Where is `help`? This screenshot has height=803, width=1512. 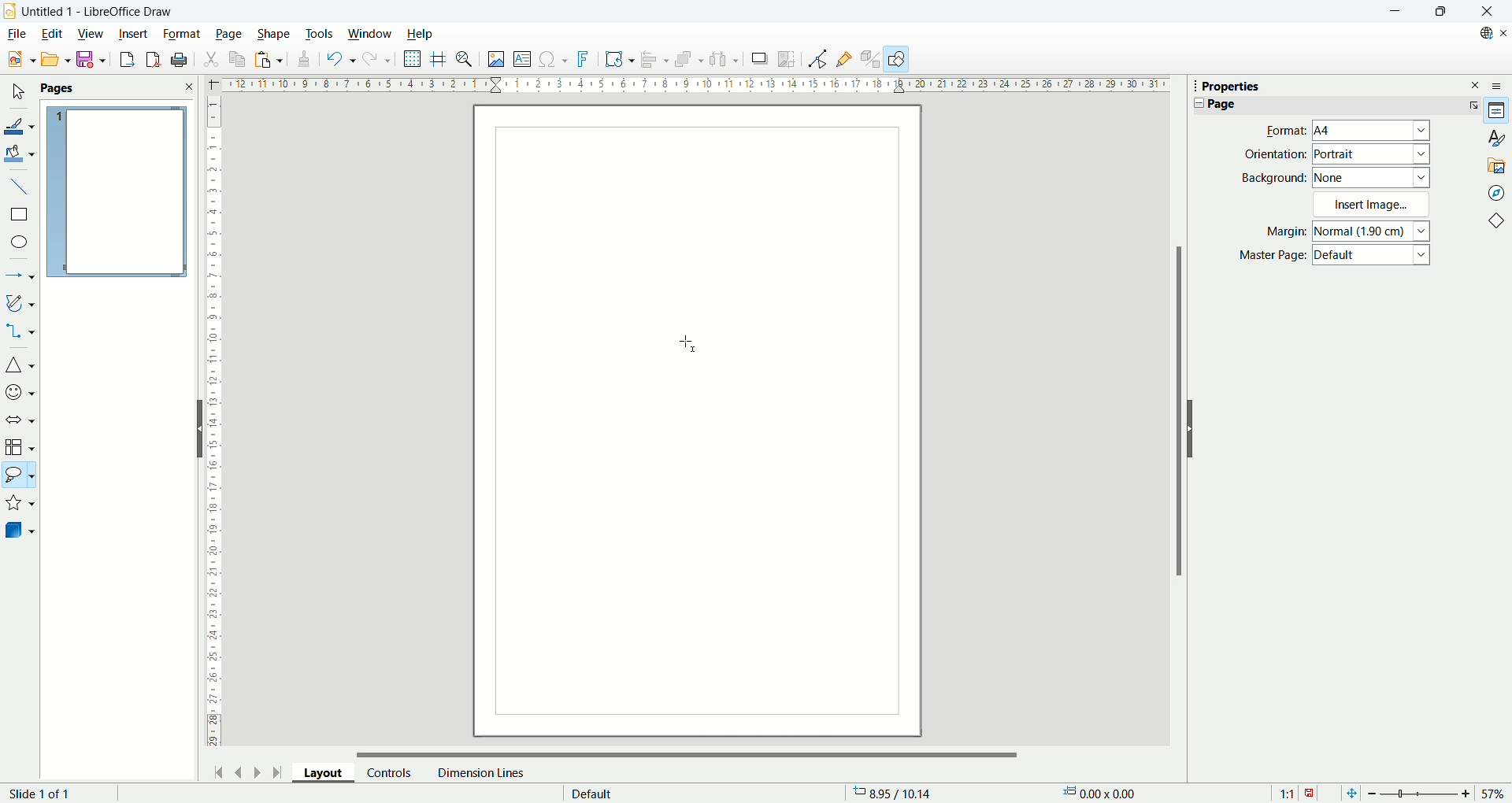
help is located at coordinates (419, 34).